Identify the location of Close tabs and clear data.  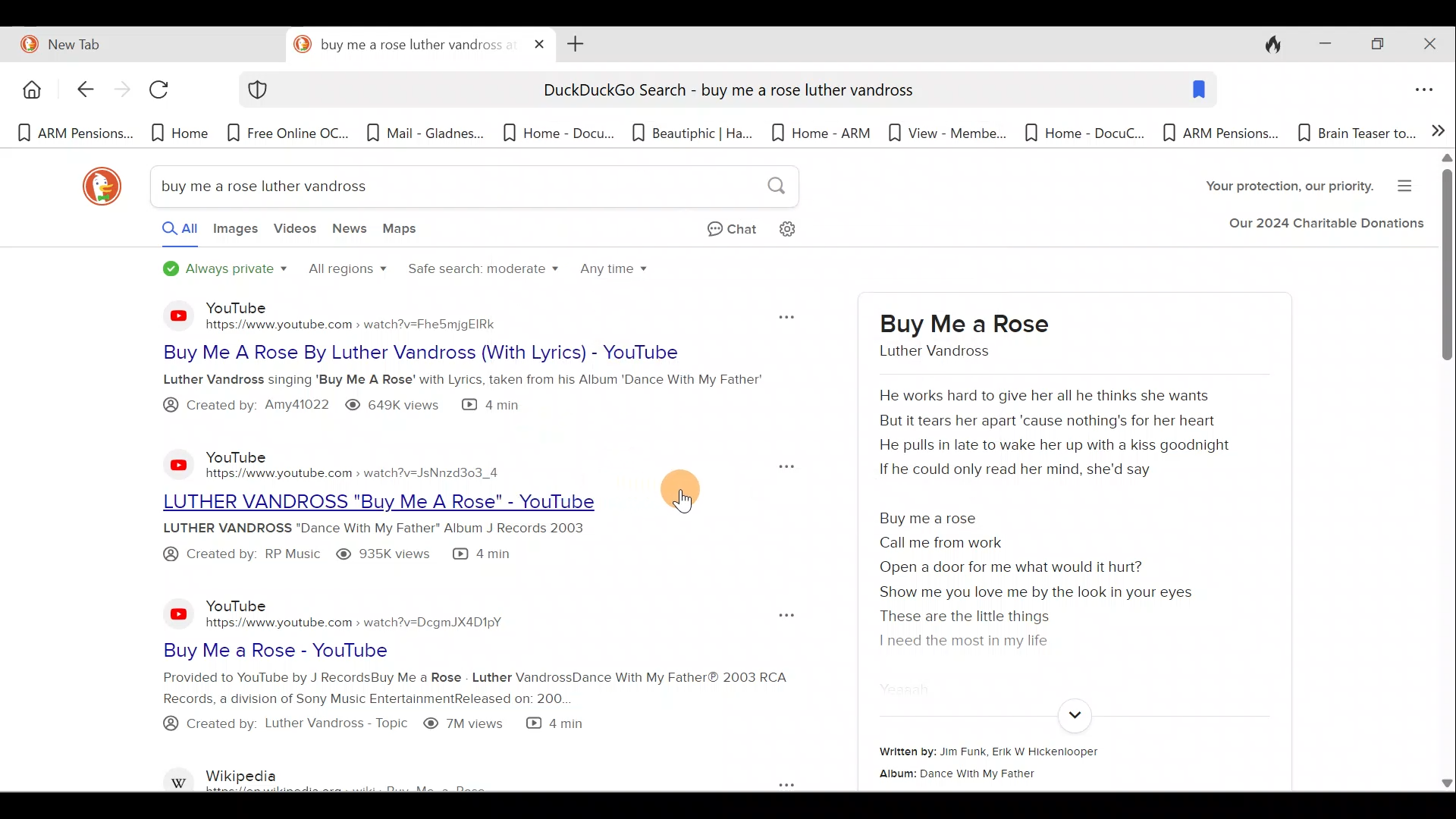
(1265, 42).